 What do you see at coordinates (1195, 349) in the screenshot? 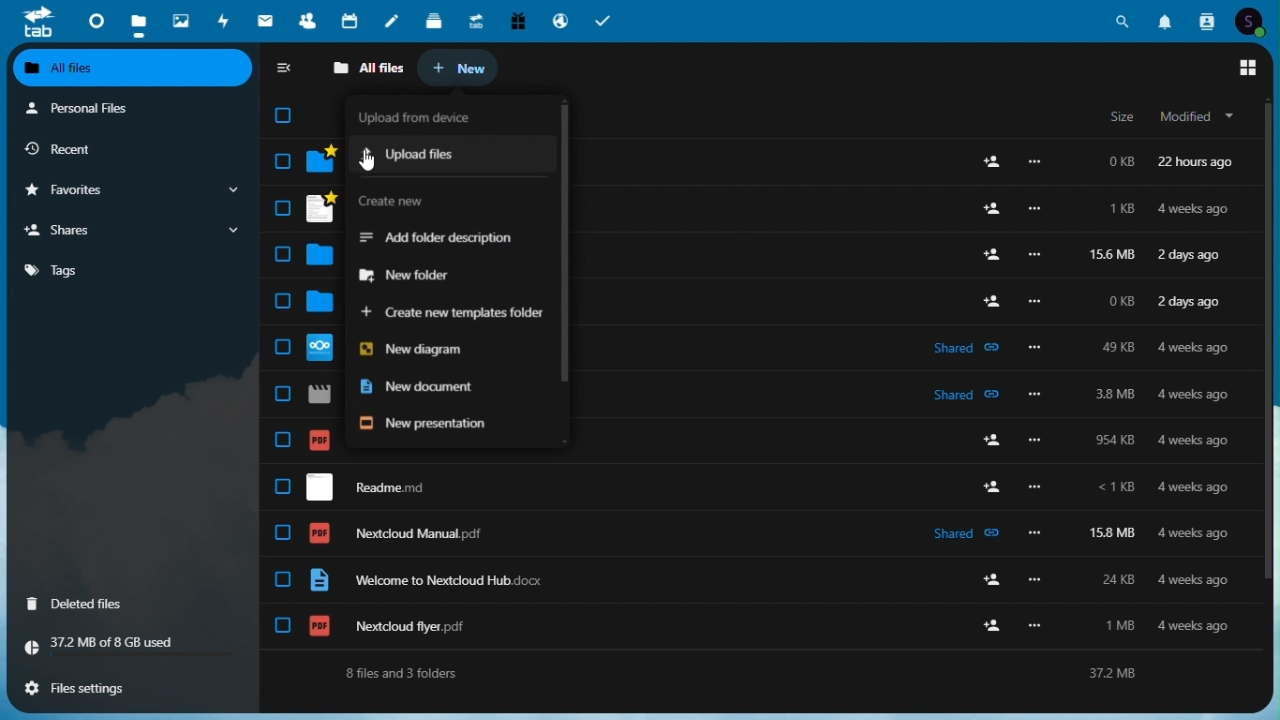
I see `4 weeks ago` at bounding box center [1195, 349].